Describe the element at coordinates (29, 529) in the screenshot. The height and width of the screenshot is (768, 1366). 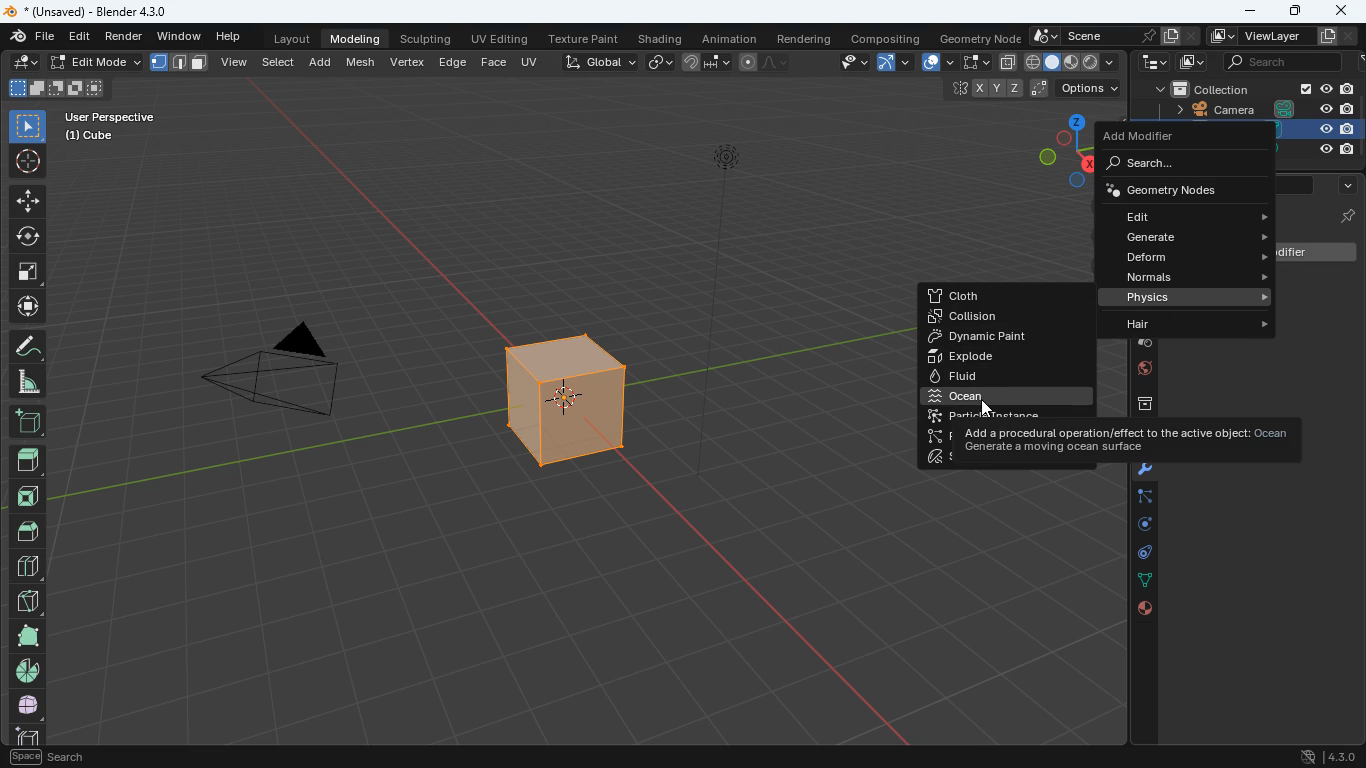
I see `top` at that location.